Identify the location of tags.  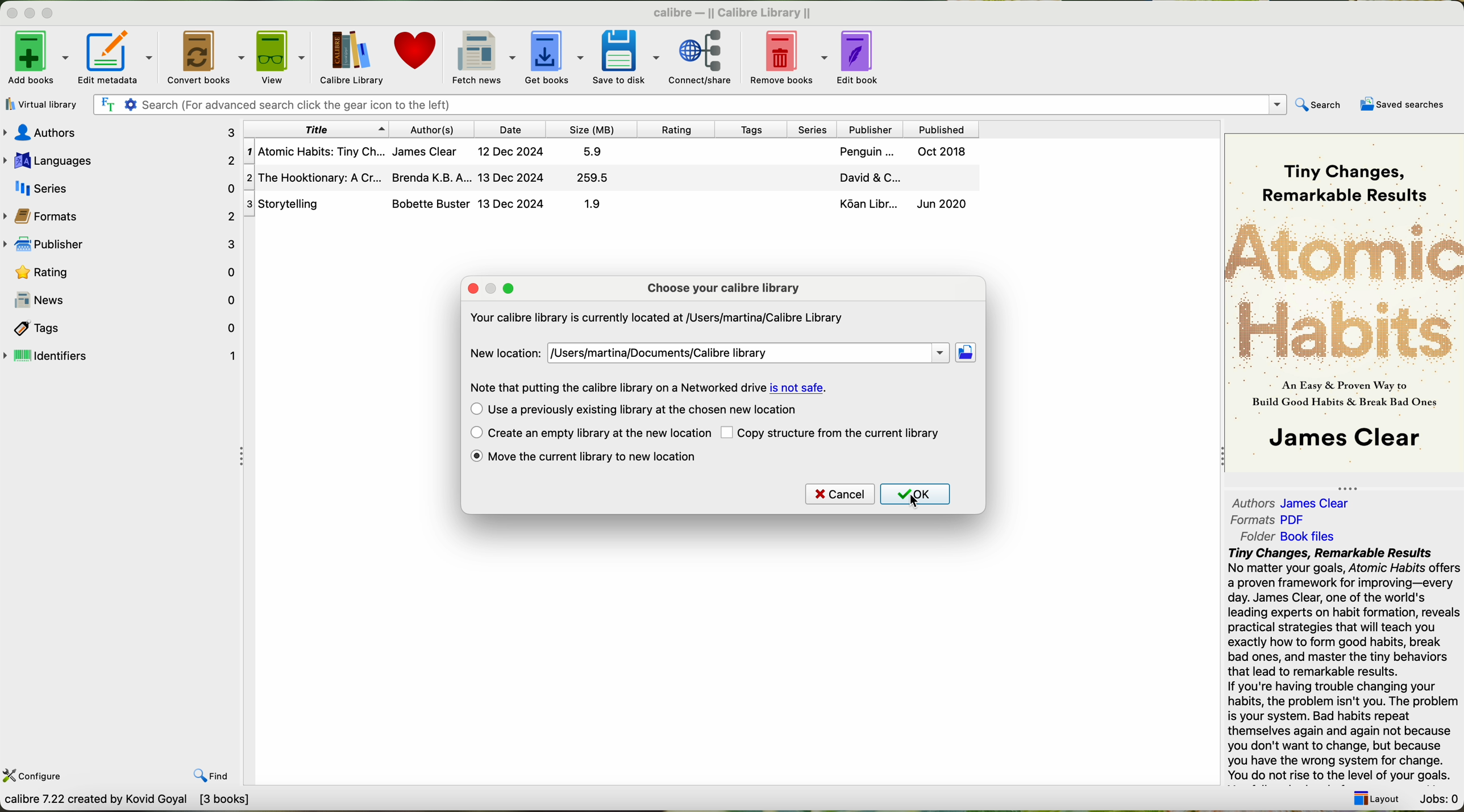
(756, 130).